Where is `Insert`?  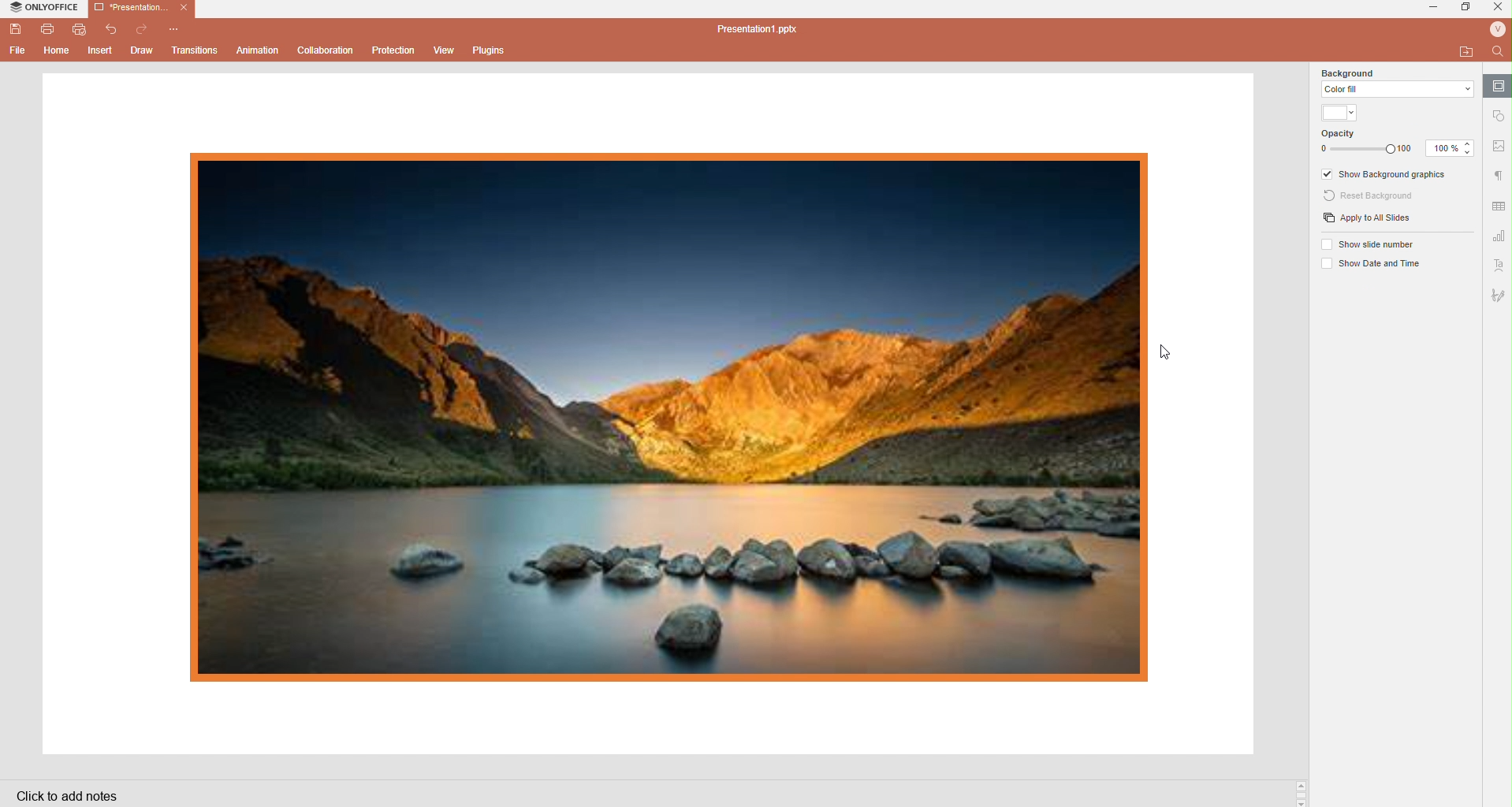
Insert is located at coordinates (101, 50).